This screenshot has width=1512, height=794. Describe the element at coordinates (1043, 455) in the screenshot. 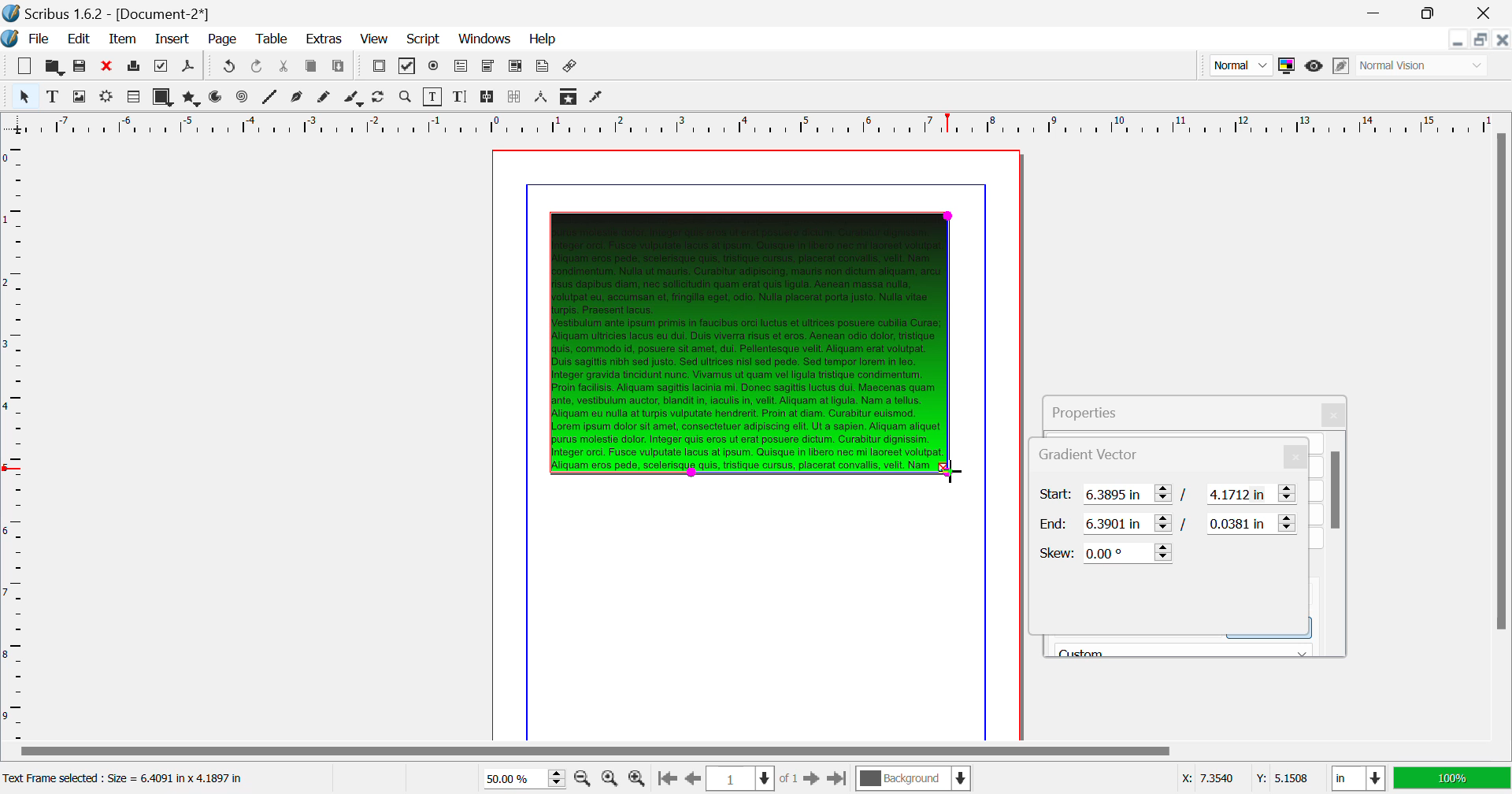

I see `Gradient Vector Tab Heading` at that location.